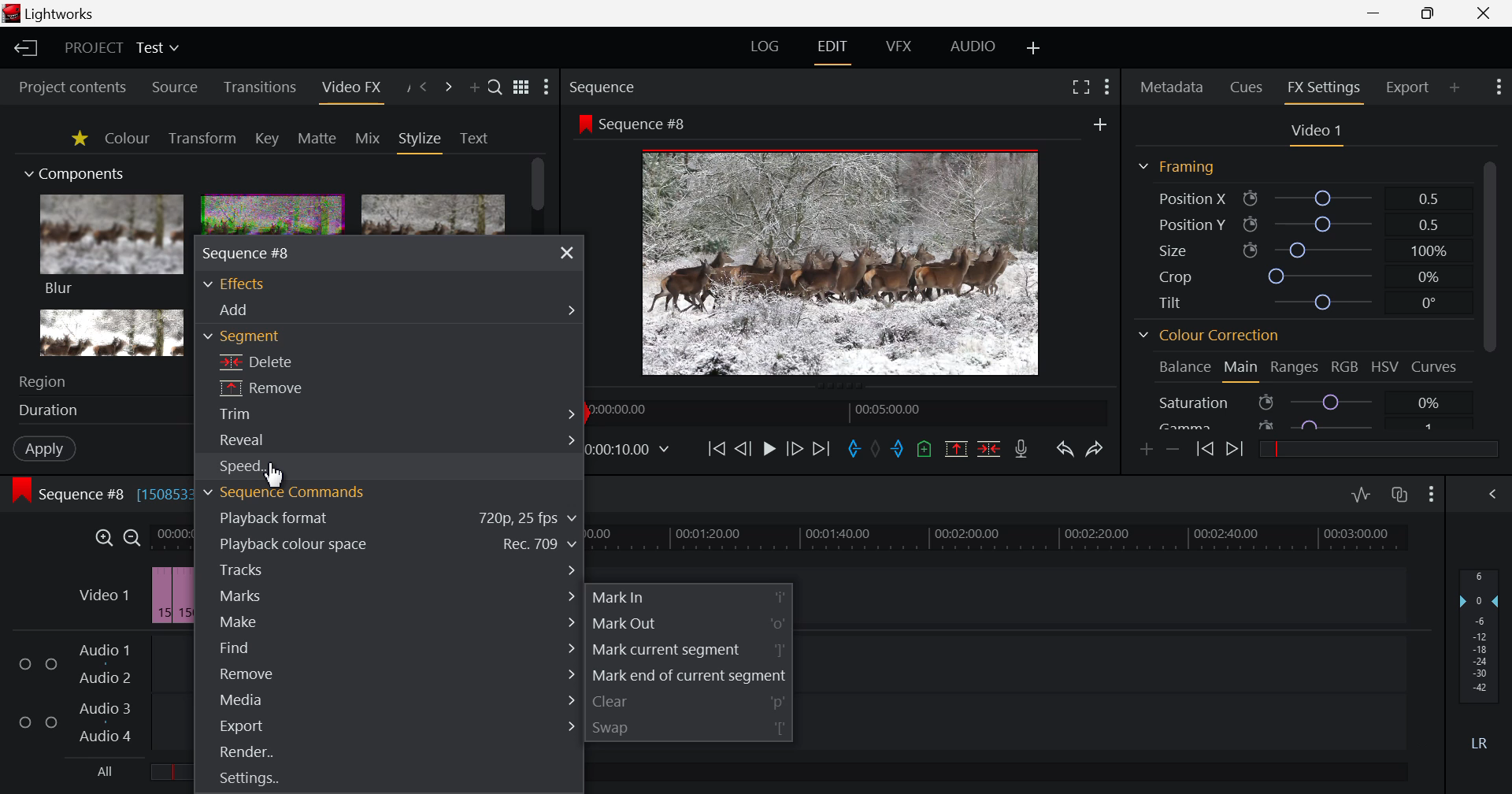  Describe the element at coordinates (133, 538) in the screenshot. I see `Timeline Zoom Out` at that location.